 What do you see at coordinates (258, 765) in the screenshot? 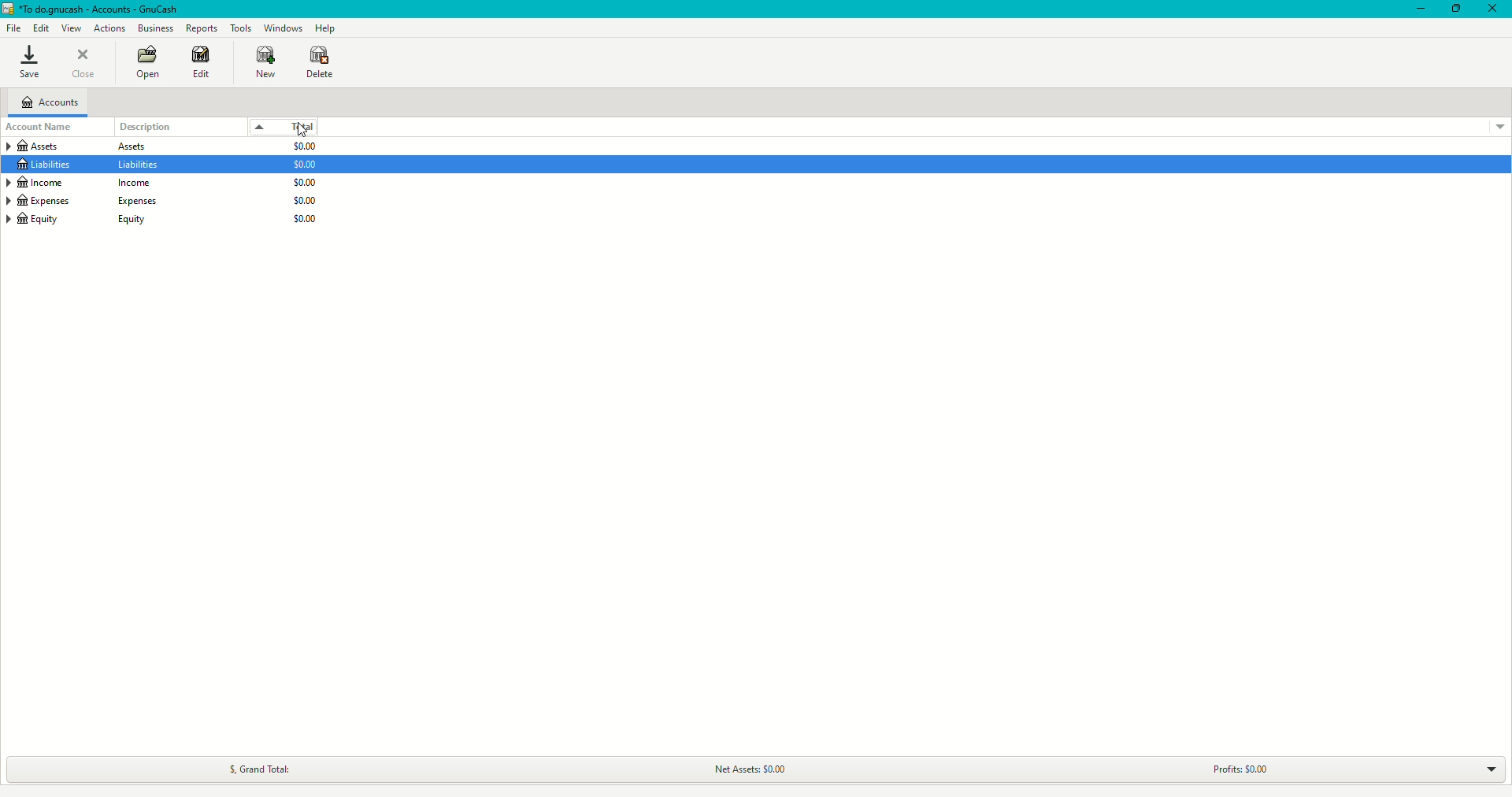
I see `Grand Total` at bounding box center [258, 765].